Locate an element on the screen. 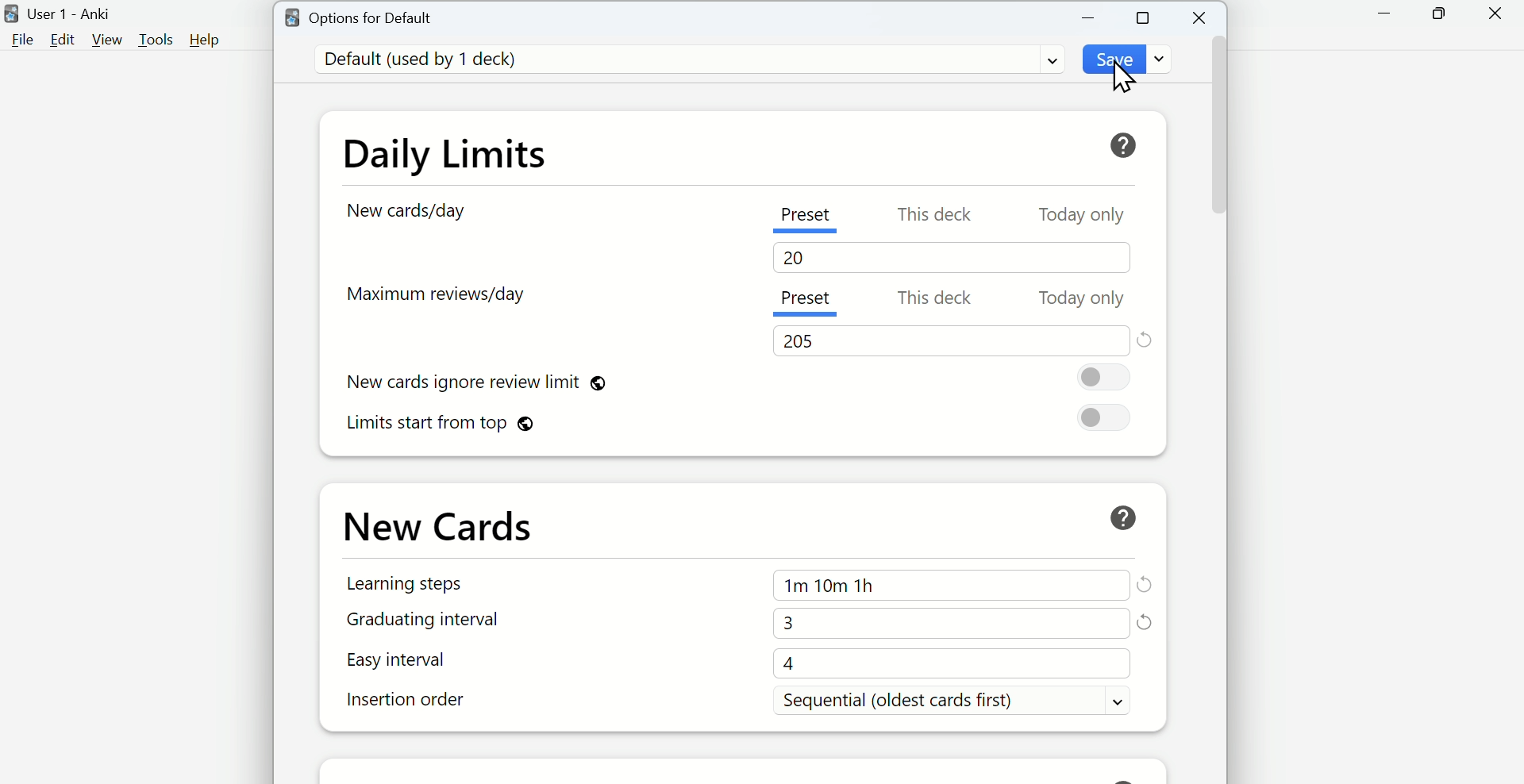 The height and width of the screenshot is (784, 1524). Limits start from top is located at coordinates (441, 425).